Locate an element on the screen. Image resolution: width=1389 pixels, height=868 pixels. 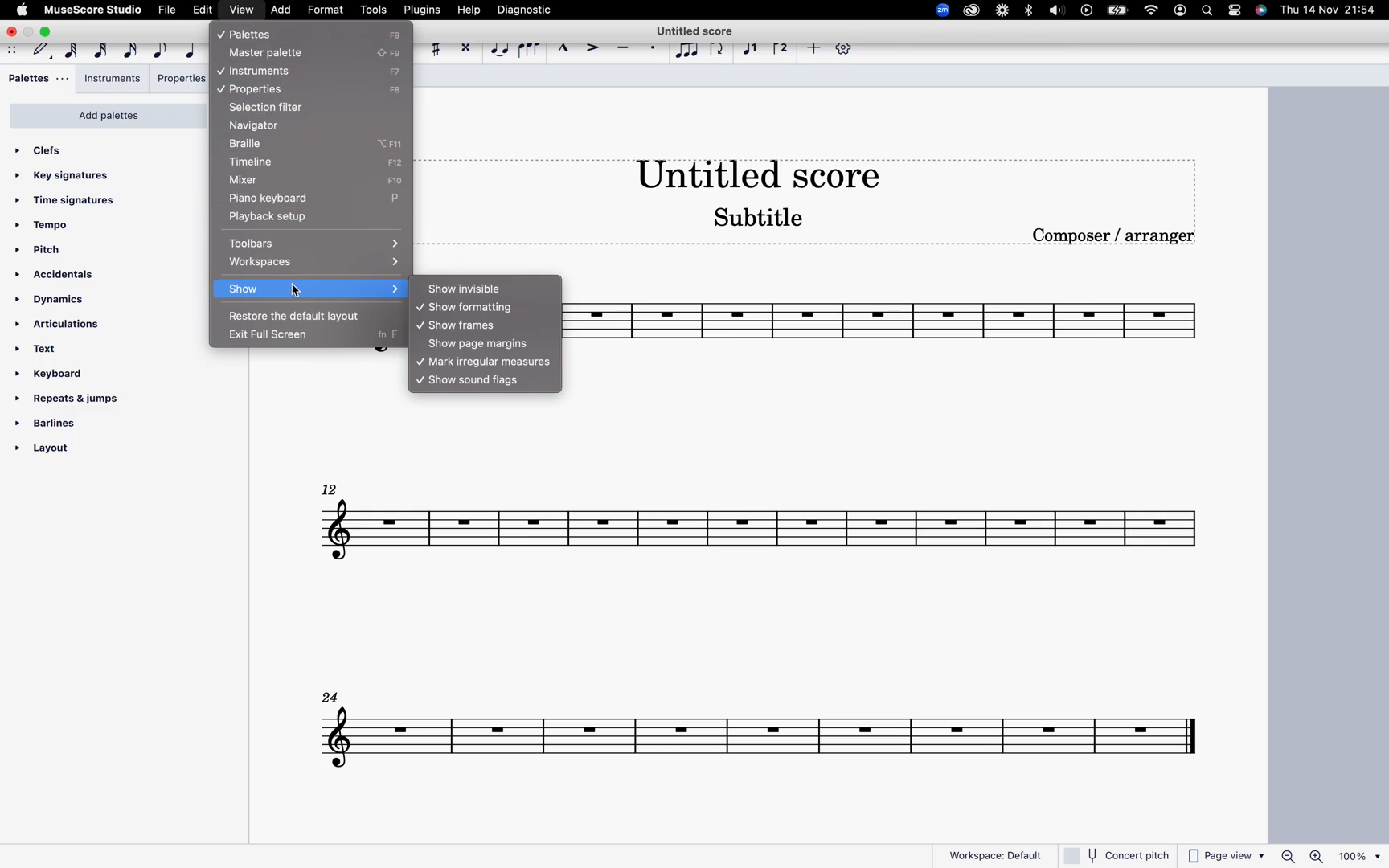
score is located at coordinates (758, 728).